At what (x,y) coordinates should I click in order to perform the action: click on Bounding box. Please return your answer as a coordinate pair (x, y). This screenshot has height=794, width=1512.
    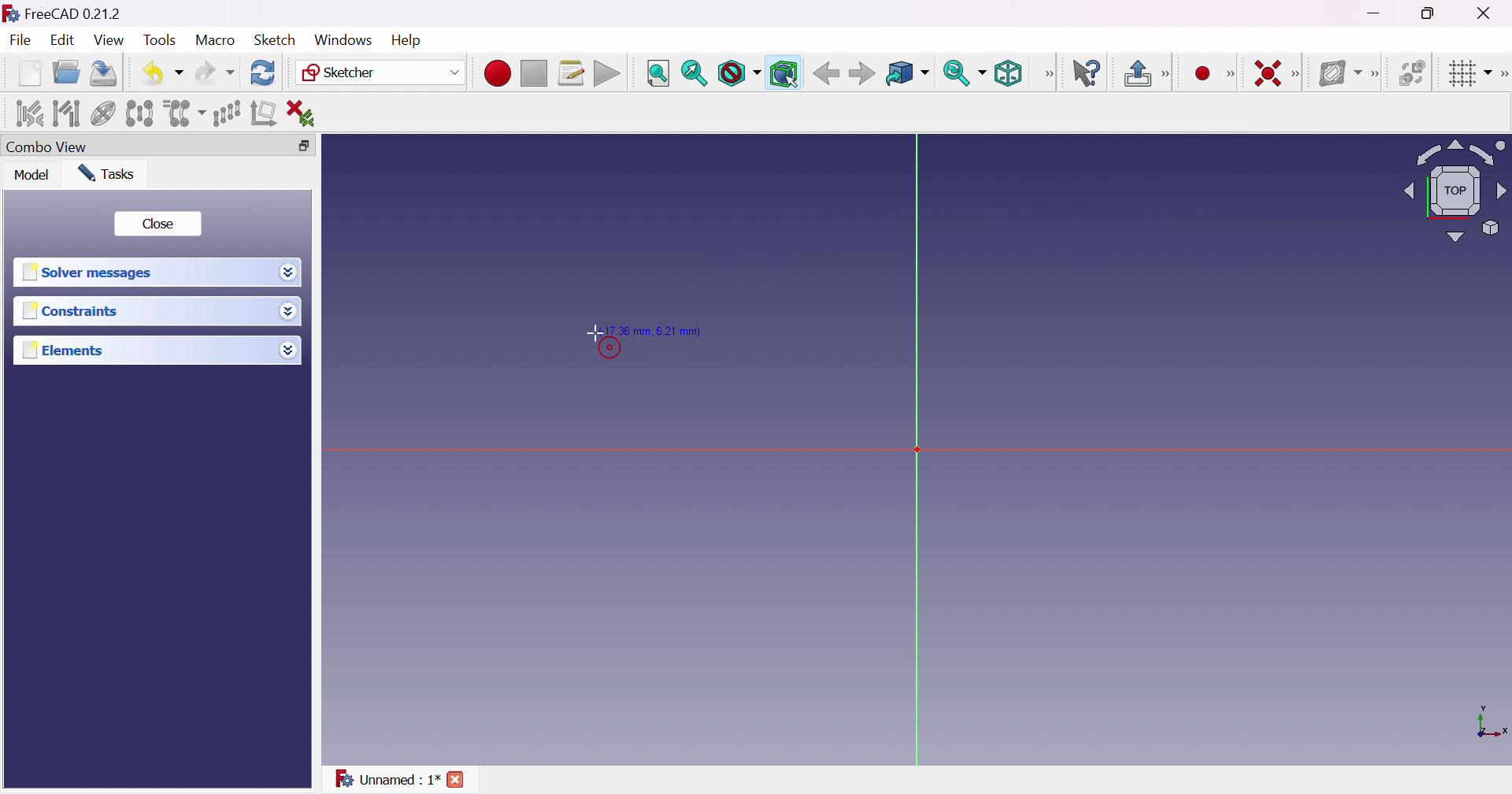
    Looking at the image, I should click on (784, 74).